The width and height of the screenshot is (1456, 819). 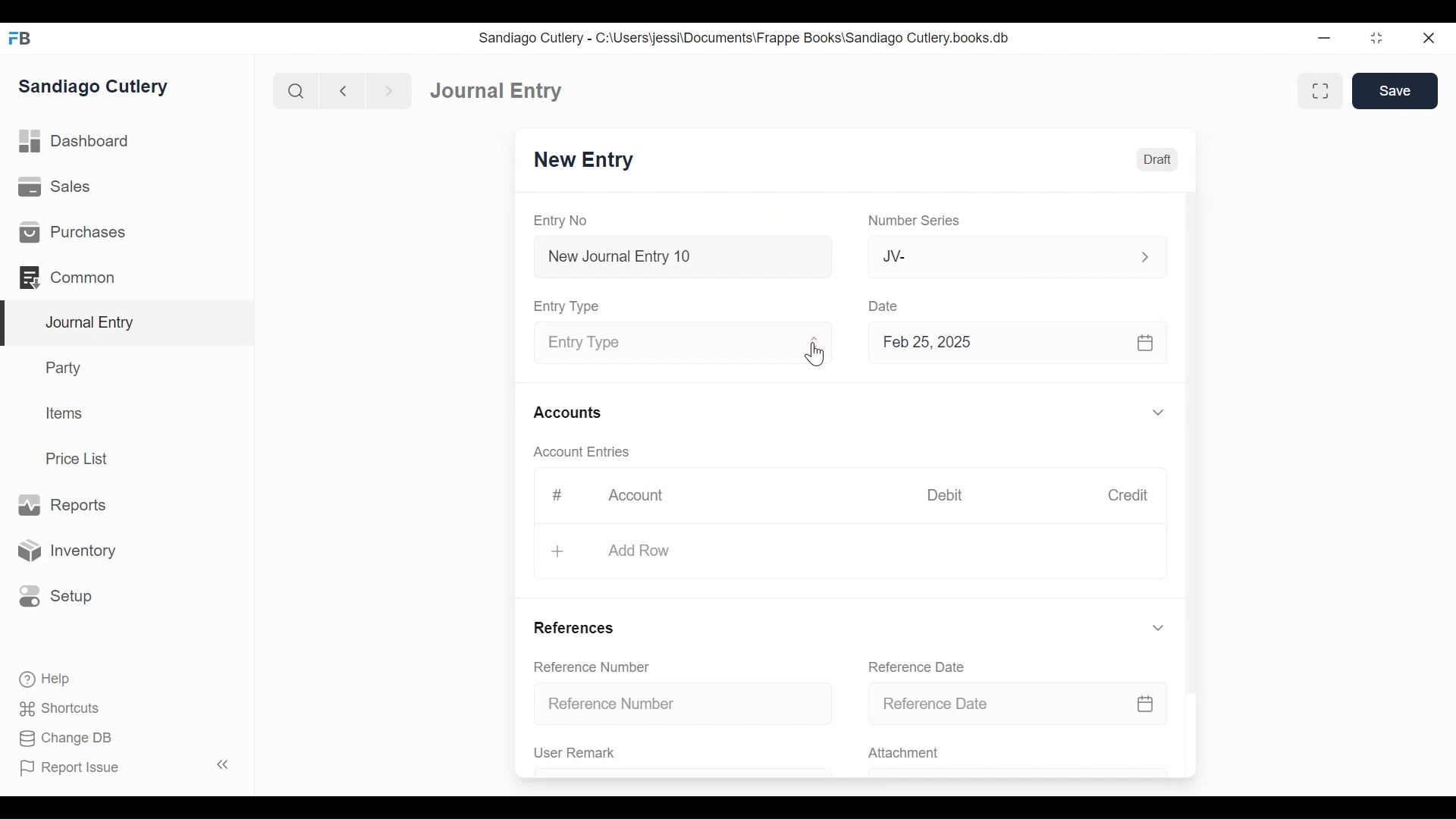 What do you see at coordinates (19, 38) in the screenshot?
I see `Frappe Books Desktop icon` at bounding box center [19, 38].